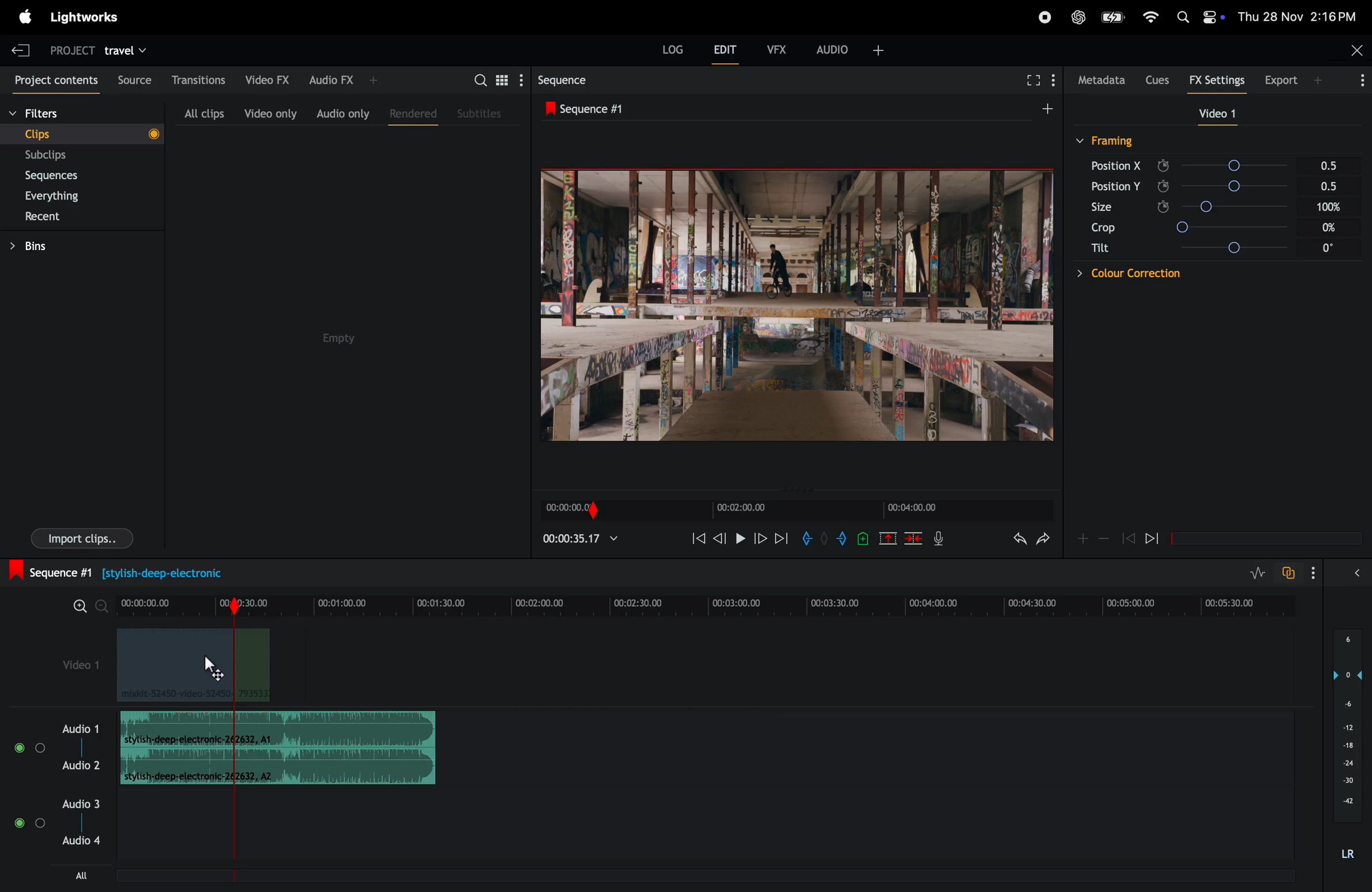 This screenshot has width=1372, height=892. Describe the element at coordinates (1032, 80) in the screenshot. I see `fullscreen` at that location.